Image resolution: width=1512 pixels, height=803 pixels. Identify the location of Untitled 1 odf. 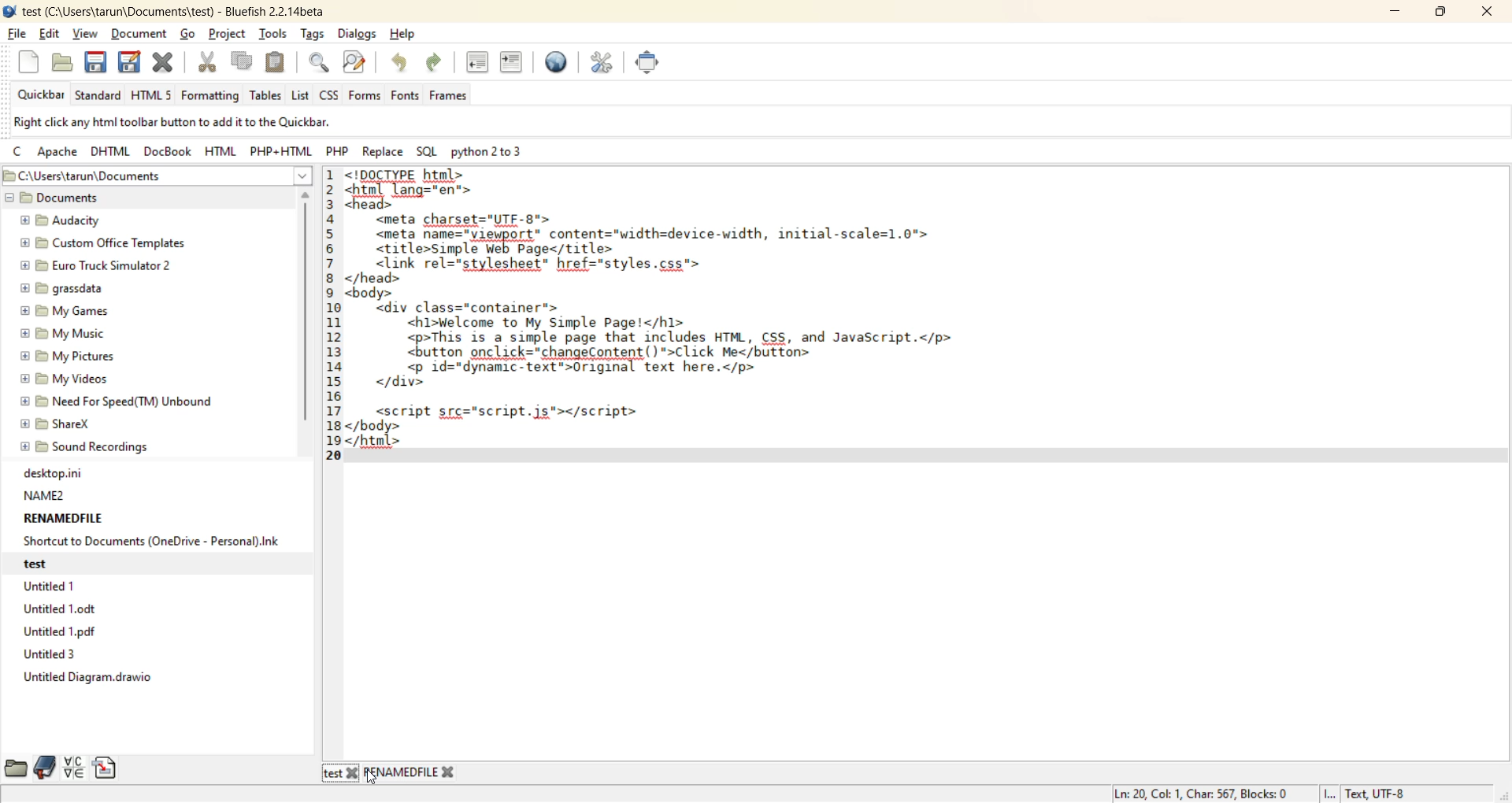
(65, 628).